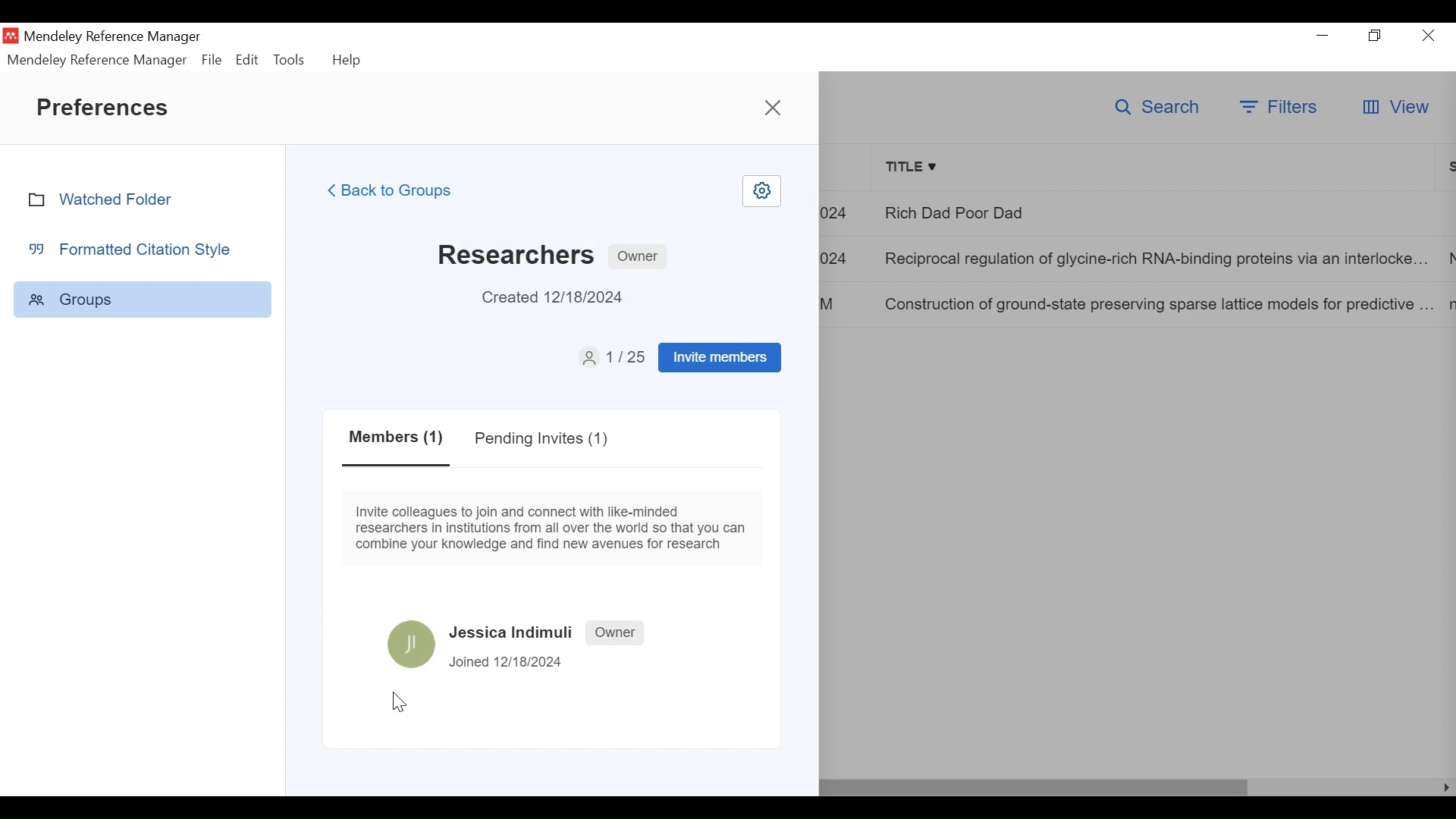 This screenshot has height=819, width=1456. Describe the element at coordinates (539, 438) in the screenshot. I see `Pending Invites(1)` at that location.